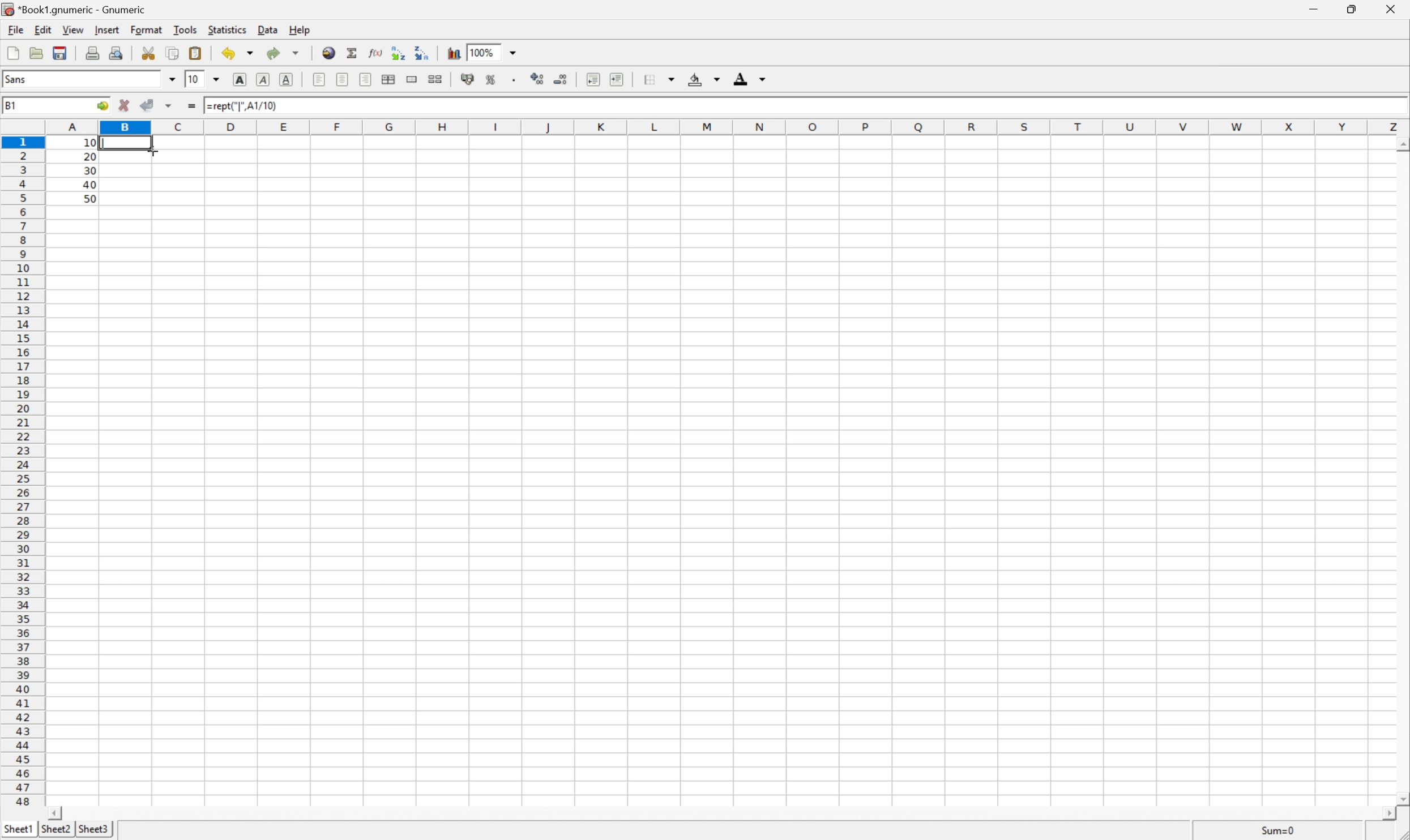  What do you see at coordinates (287, 79) in the screenshot?
I see `Underline` at bounding box center [287, 79].